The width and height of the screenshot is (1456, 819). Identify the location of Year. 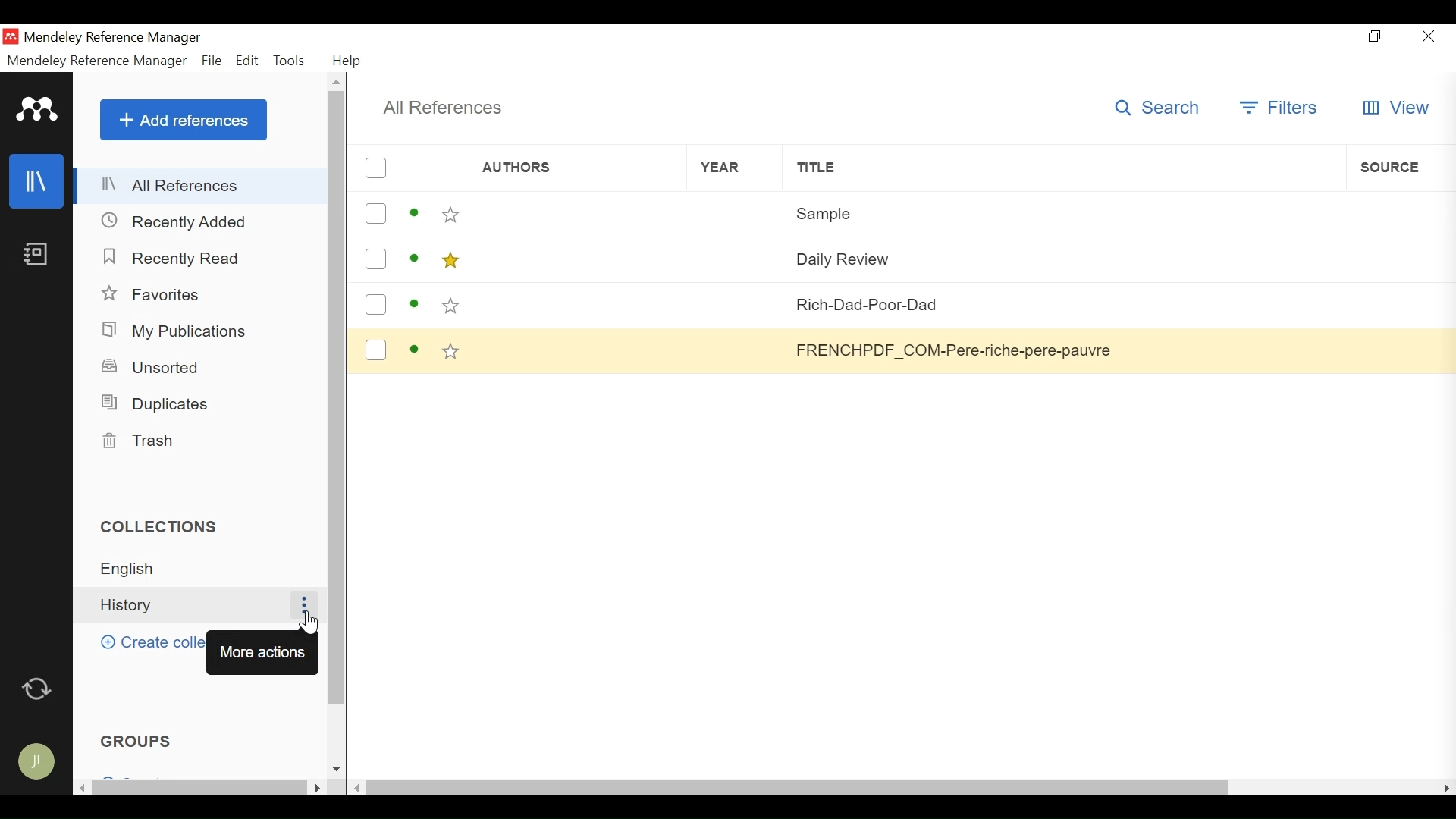
(736, 258).